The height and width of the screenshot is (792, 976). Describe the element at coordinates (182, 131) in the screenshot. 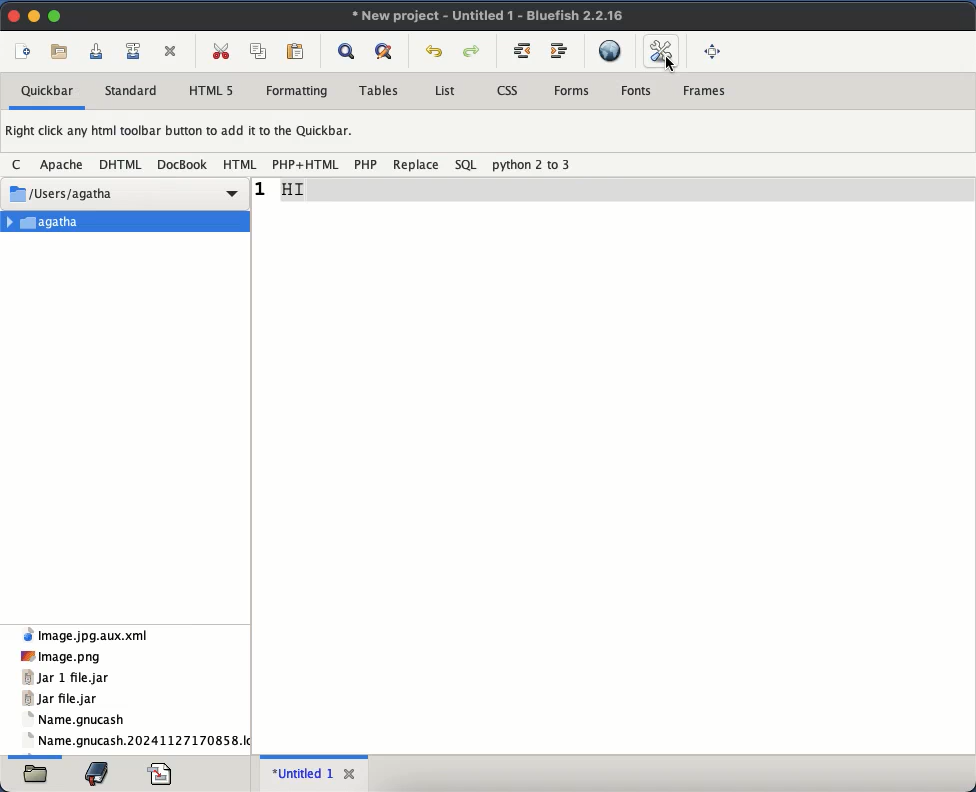

I see `right click any html toolbar button to add it to the quickbar` at that location.